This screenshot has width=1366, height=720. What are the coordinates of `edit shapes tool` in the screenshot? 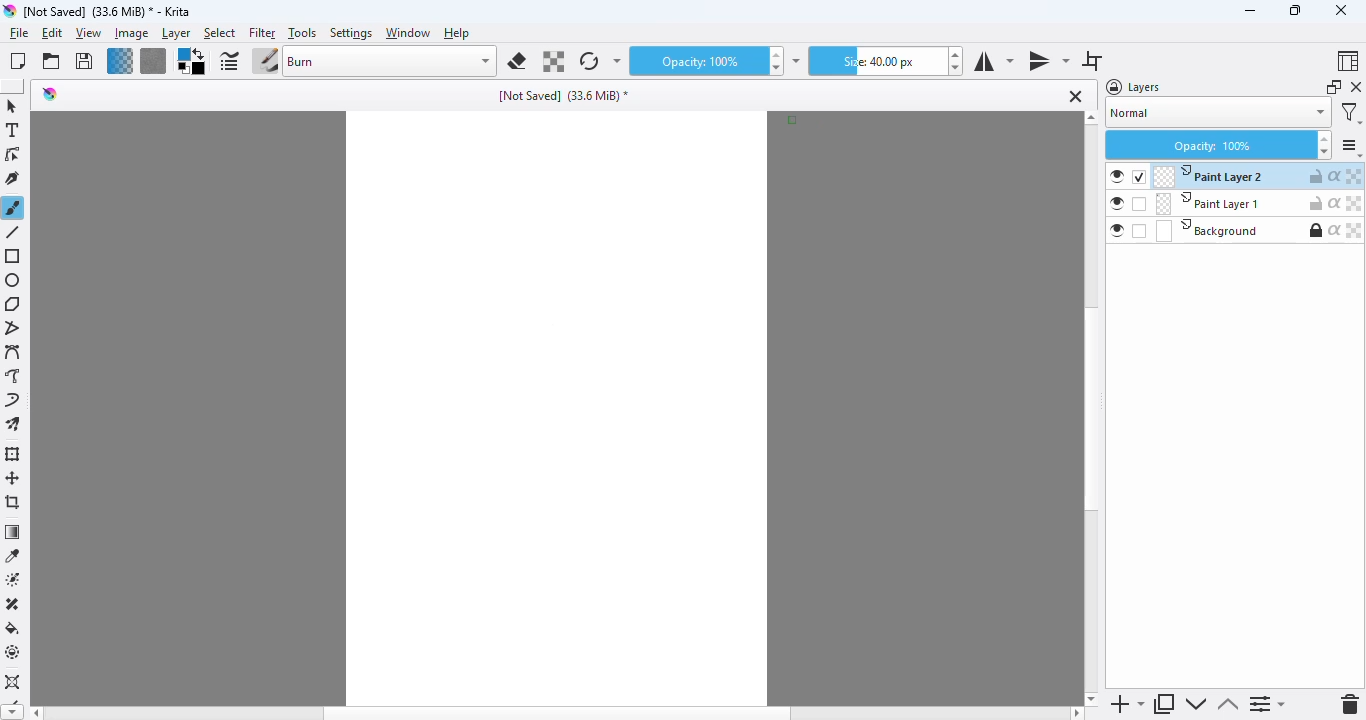 It's located at (12, 155).